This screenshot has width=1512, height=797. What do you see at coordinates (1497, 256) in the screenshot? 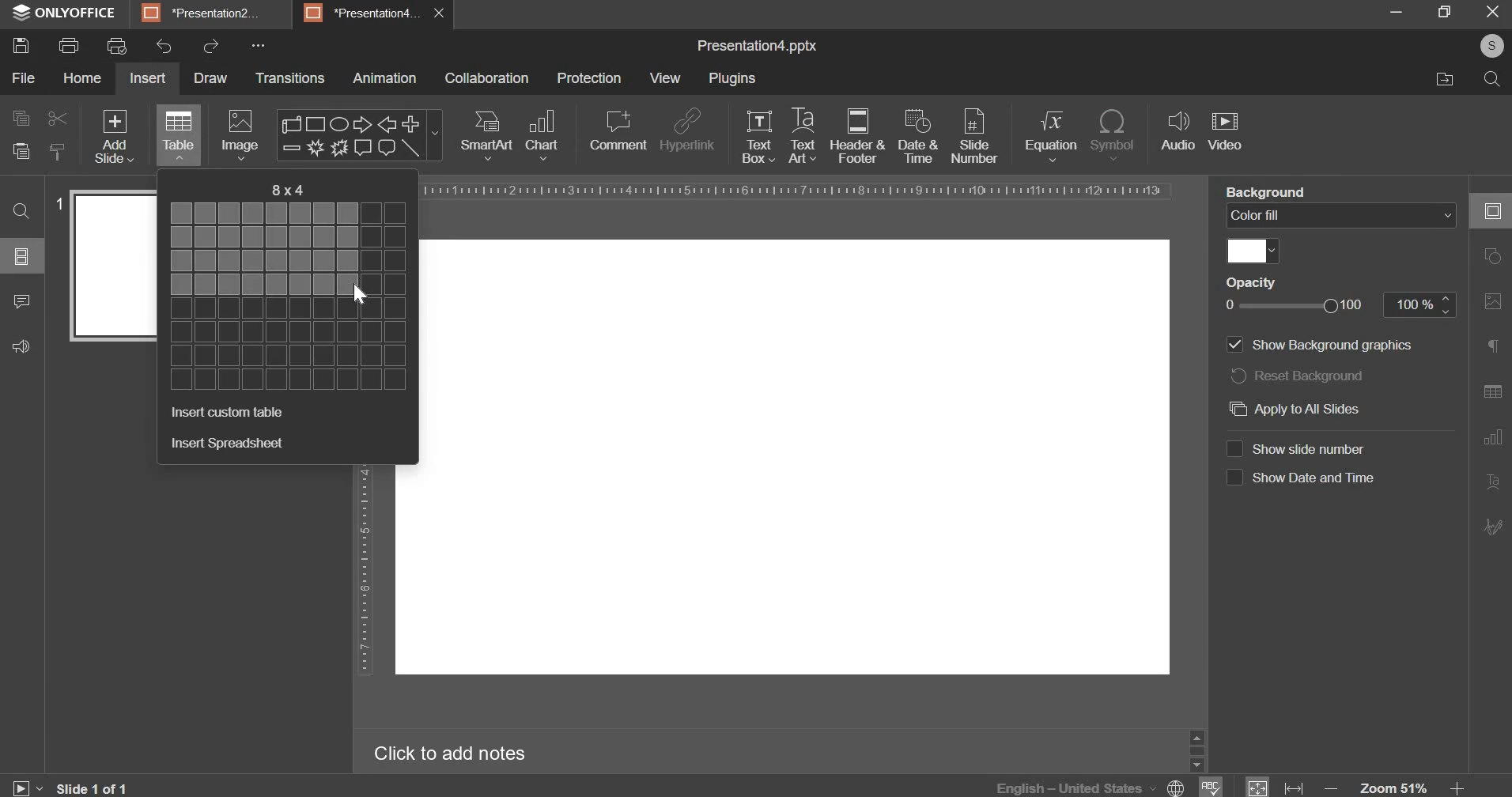
I see `shape settings` at bounding box center [1497, 256].